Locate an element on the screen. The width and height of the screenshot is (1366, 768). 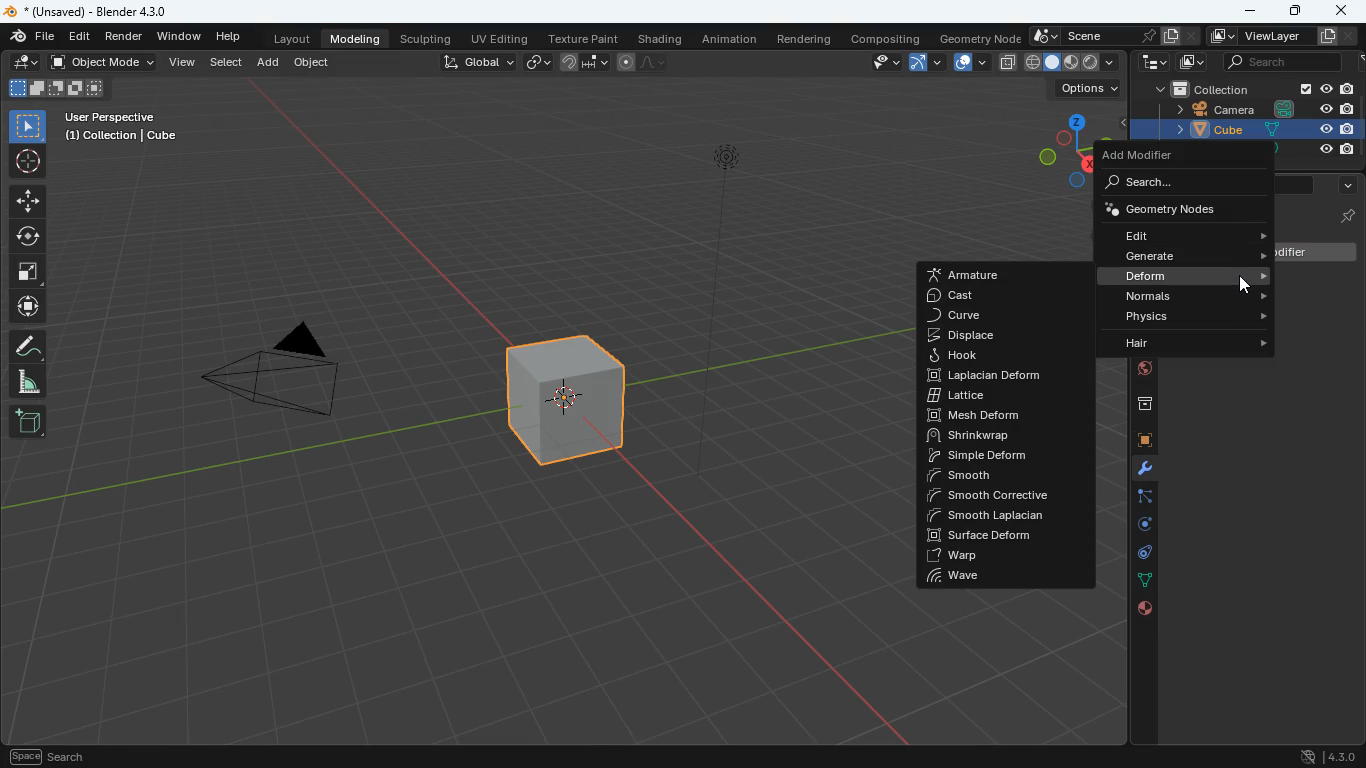
armature is located at coordinates (995, 274).